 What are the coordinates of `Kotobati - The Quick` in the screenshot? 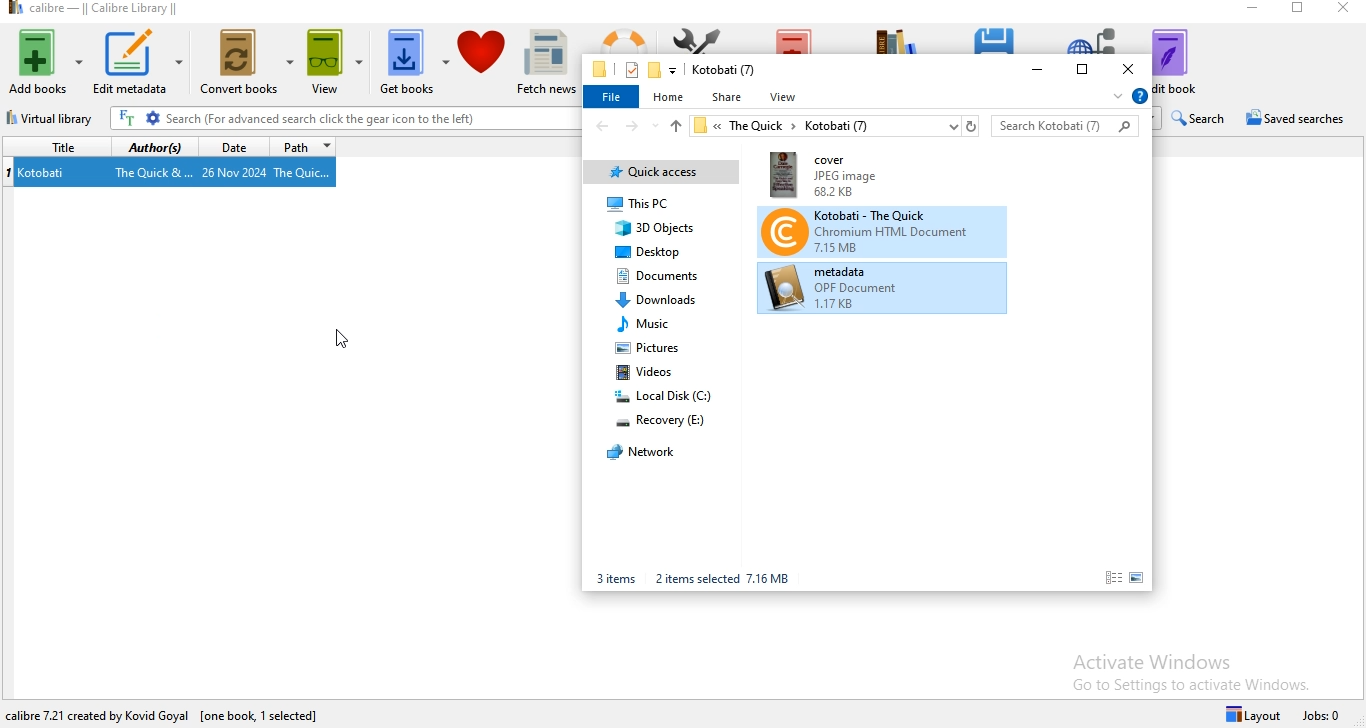 It's located at (881, 230).